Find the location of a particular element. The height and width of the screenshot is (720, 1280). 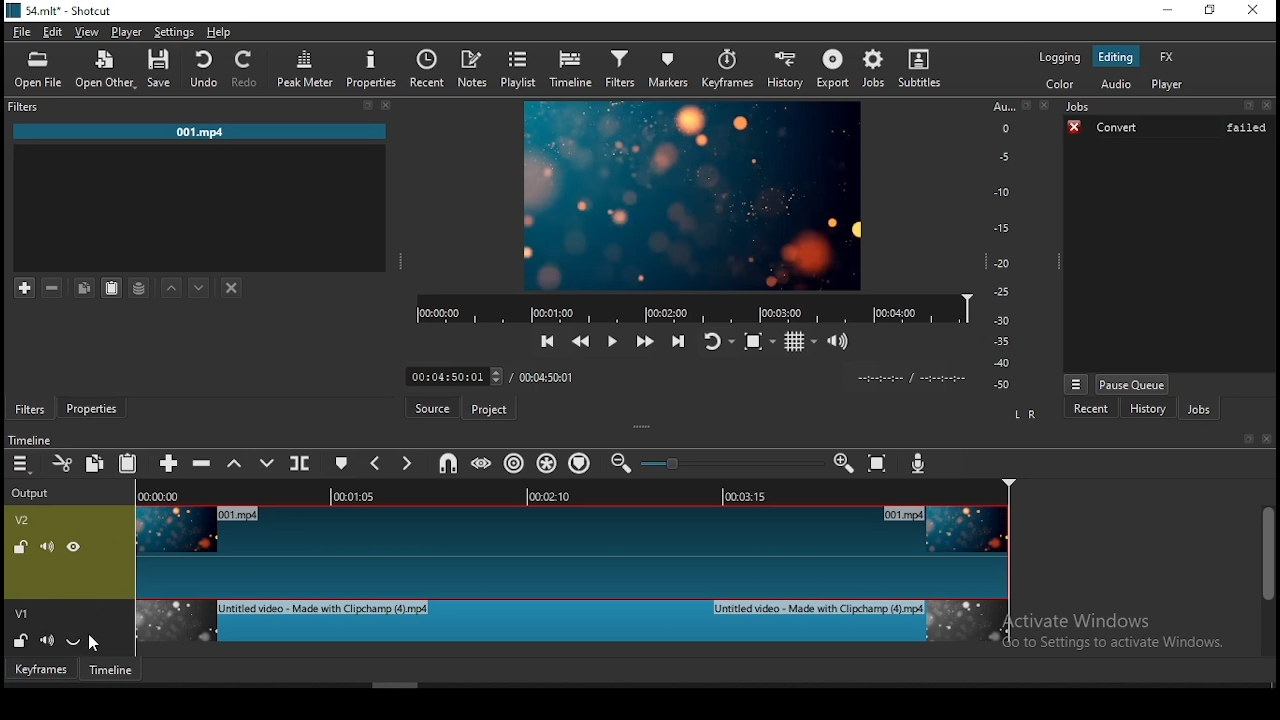

audio is located at coordinates (1117, 83).